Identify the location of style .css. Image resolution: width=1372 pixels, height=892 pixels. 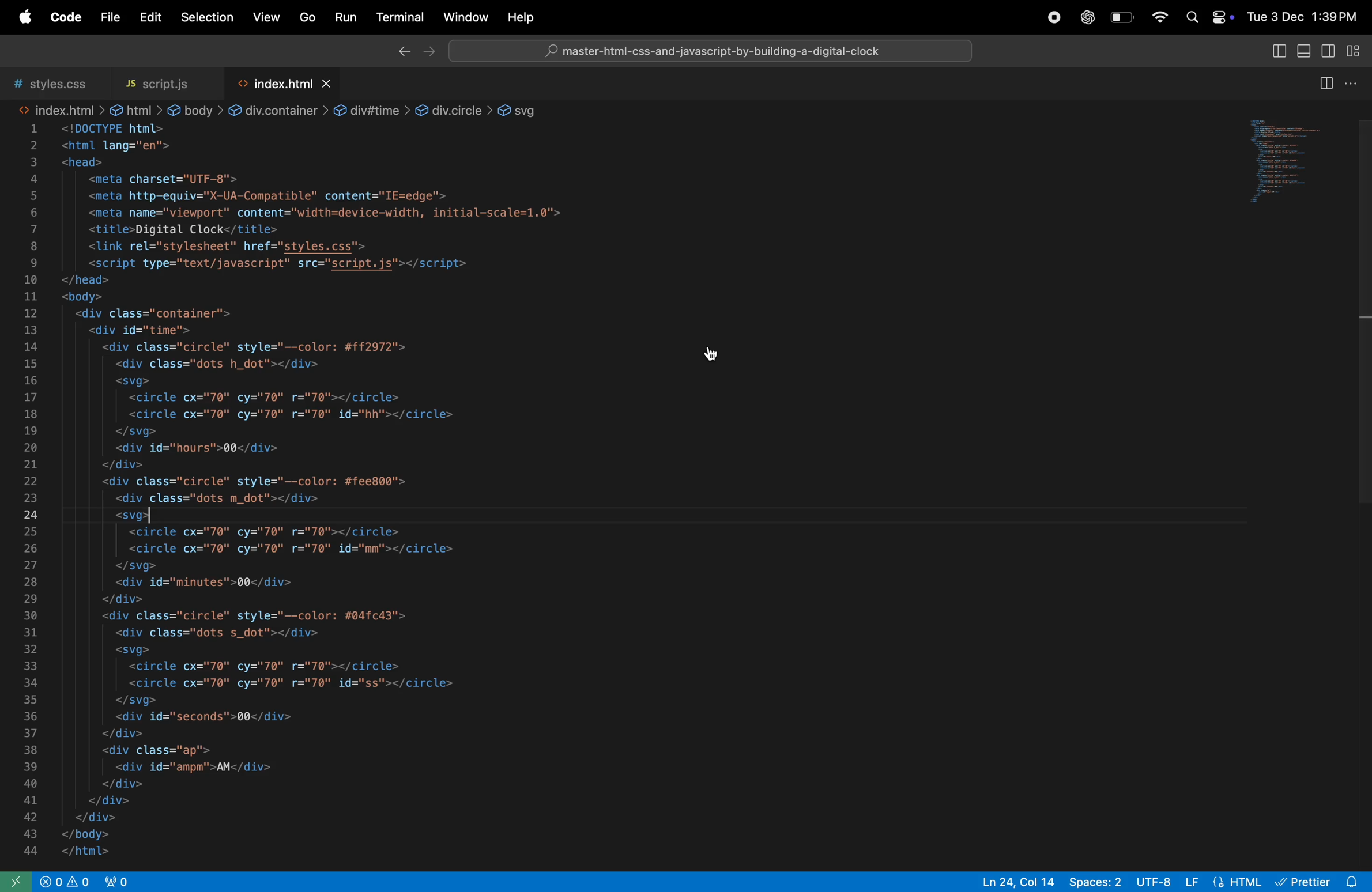
(48, 78).